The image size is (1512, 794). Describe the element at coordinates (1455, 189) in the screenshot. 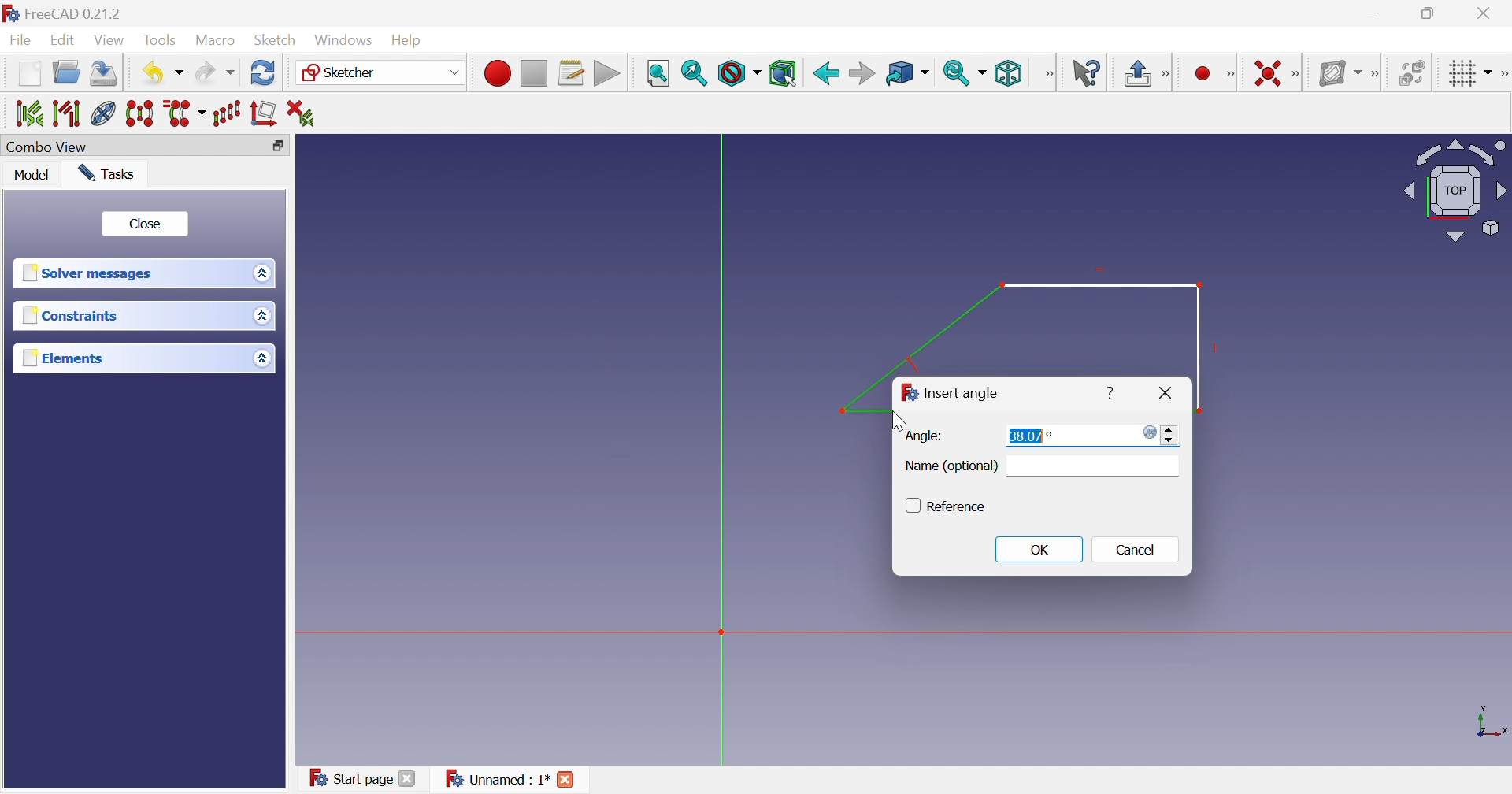

I see `Viewing angle` at that location.